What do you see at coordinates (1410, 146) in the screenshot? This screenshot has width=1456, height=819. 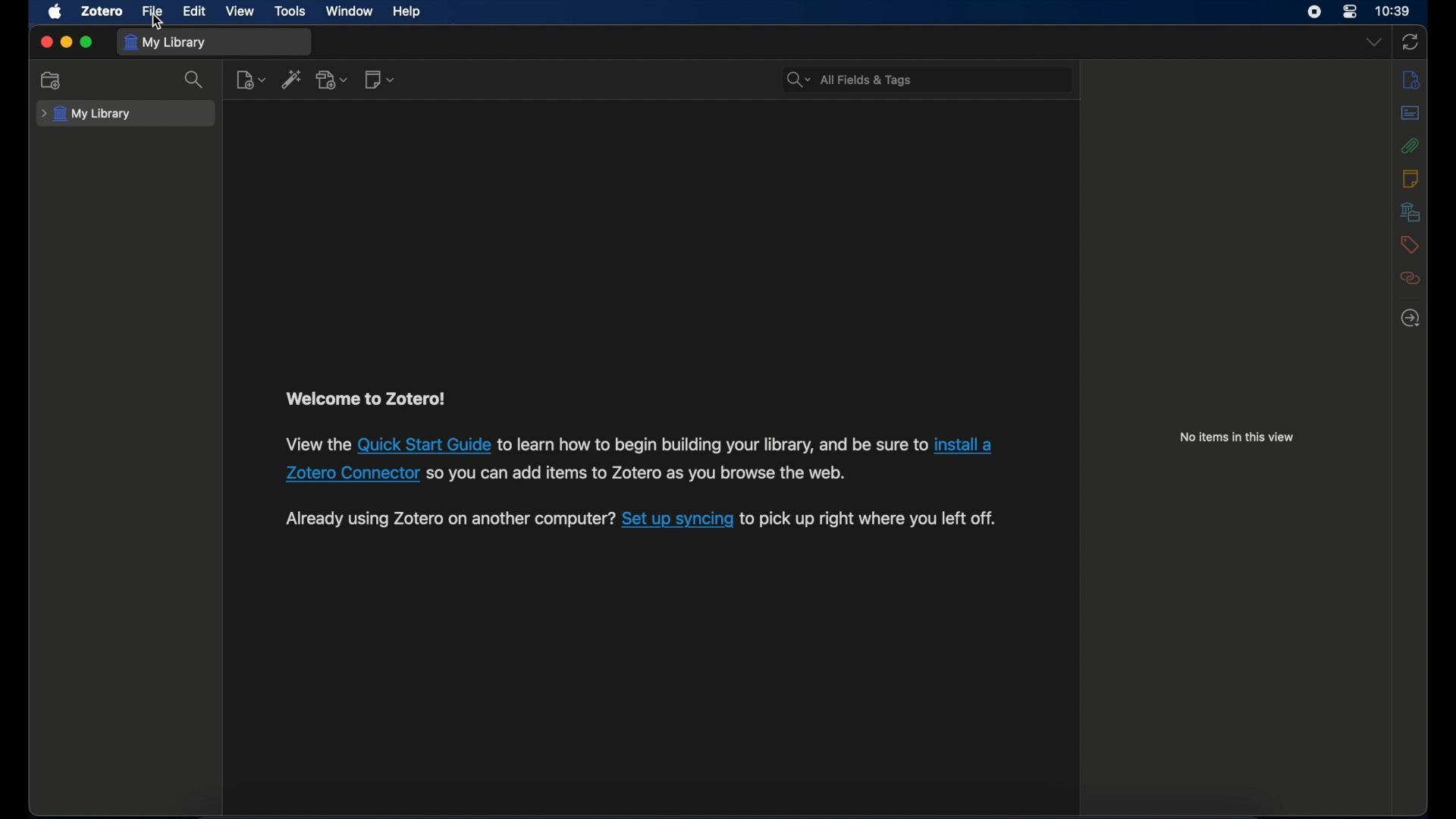 I see `attachments` at bounding box center [1410, 146].